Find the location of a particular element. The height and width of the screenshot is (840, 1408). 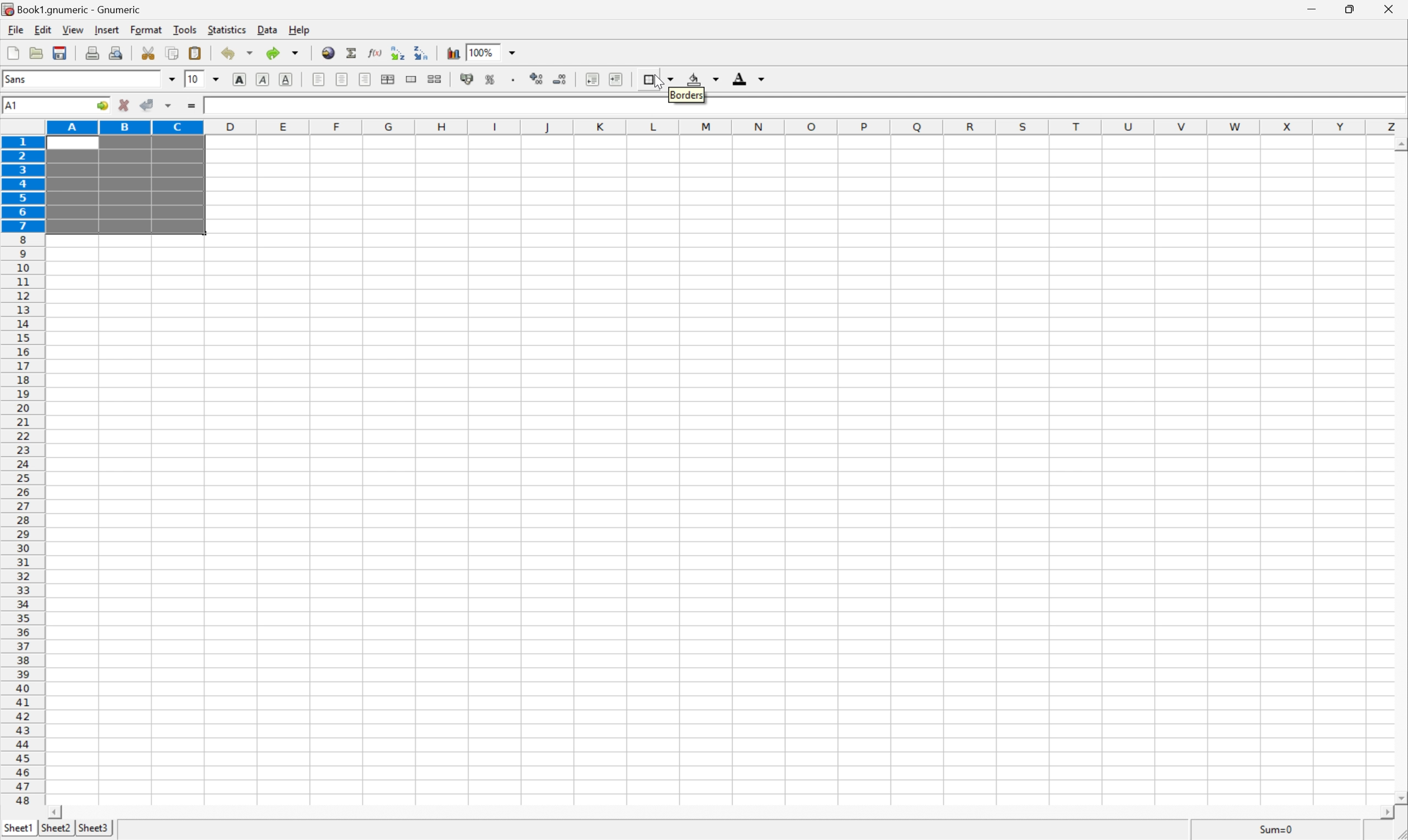

Selected cells is located at coordinates (124, 186).